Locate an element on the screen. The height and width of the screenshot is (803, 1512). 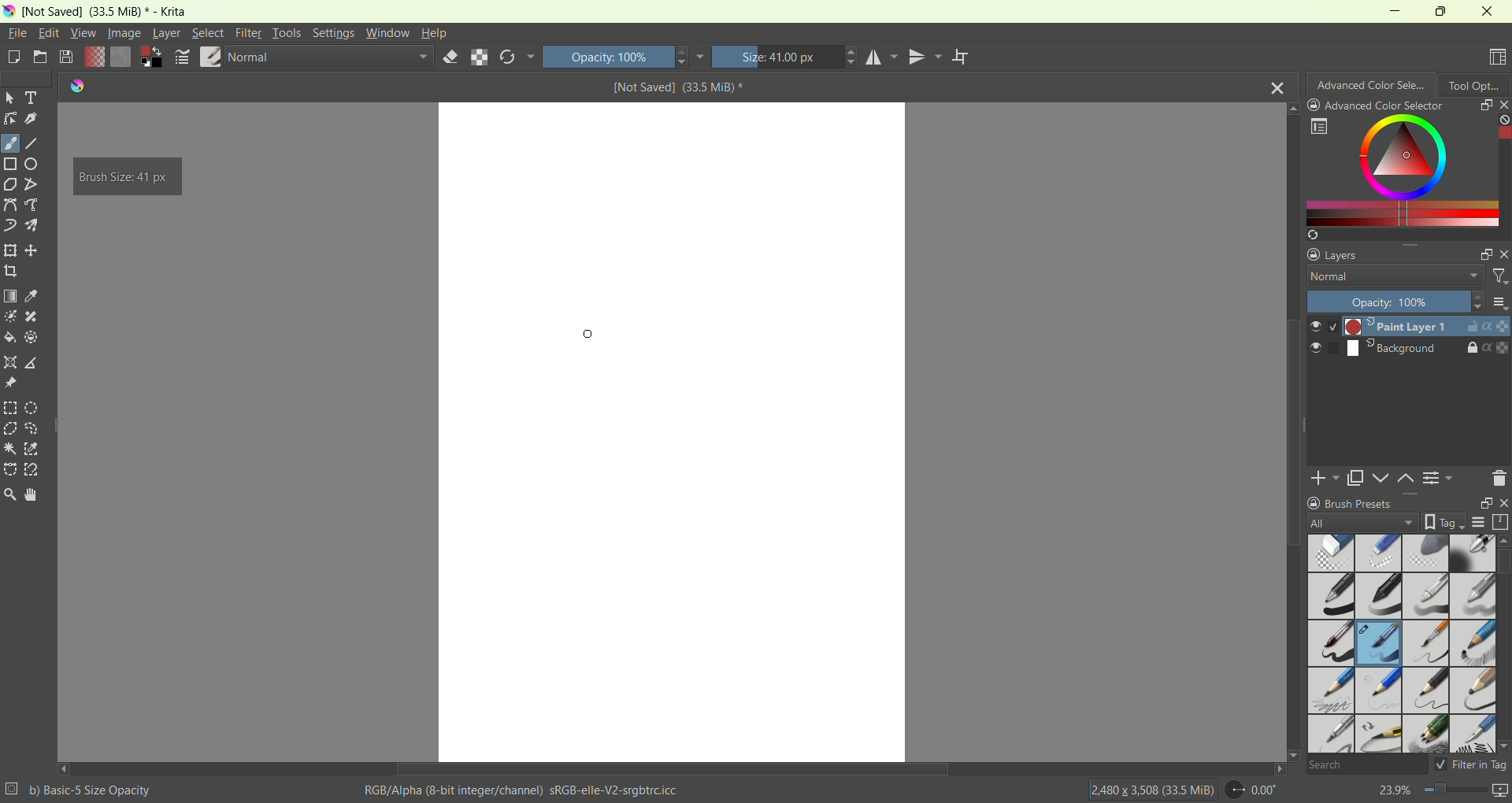
edit shapes is located at coordinates (10, 119).